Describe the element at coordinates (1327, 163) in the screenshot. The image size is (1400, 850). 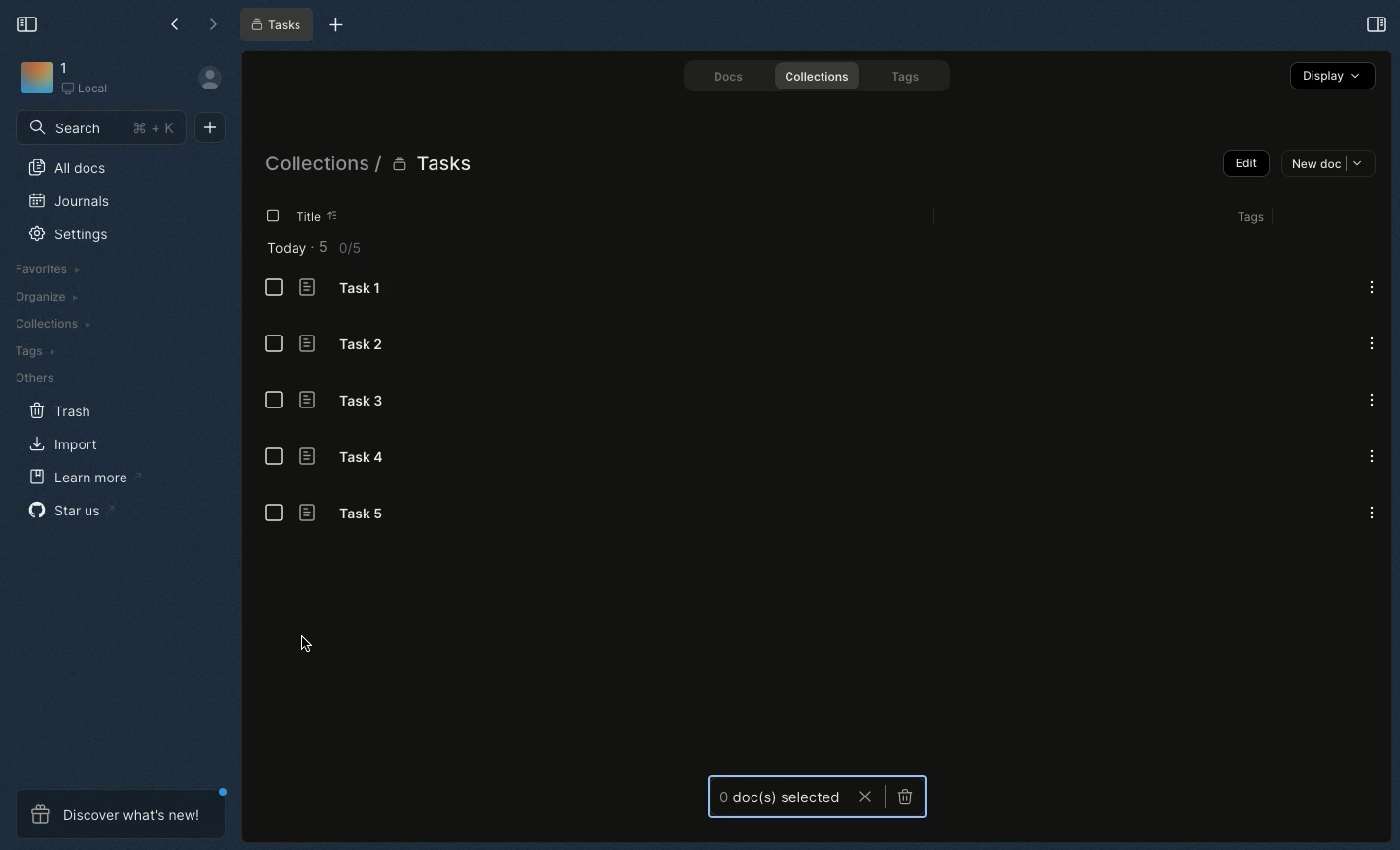
I see `New doc` at that location.